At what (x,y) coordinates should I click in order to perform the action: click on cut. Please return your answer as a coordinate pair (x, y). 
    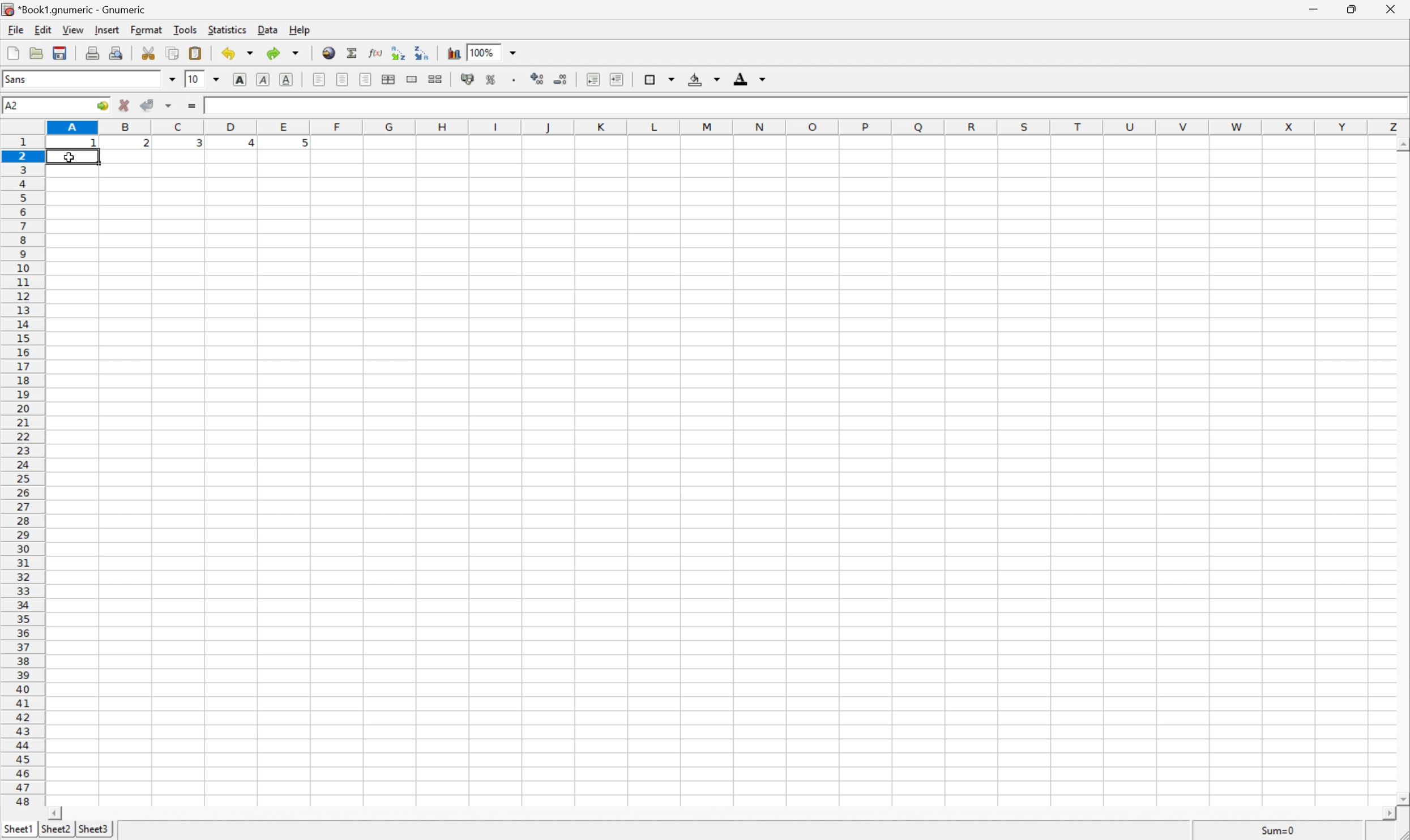
    Looking at the image, I should click on (147, 52).